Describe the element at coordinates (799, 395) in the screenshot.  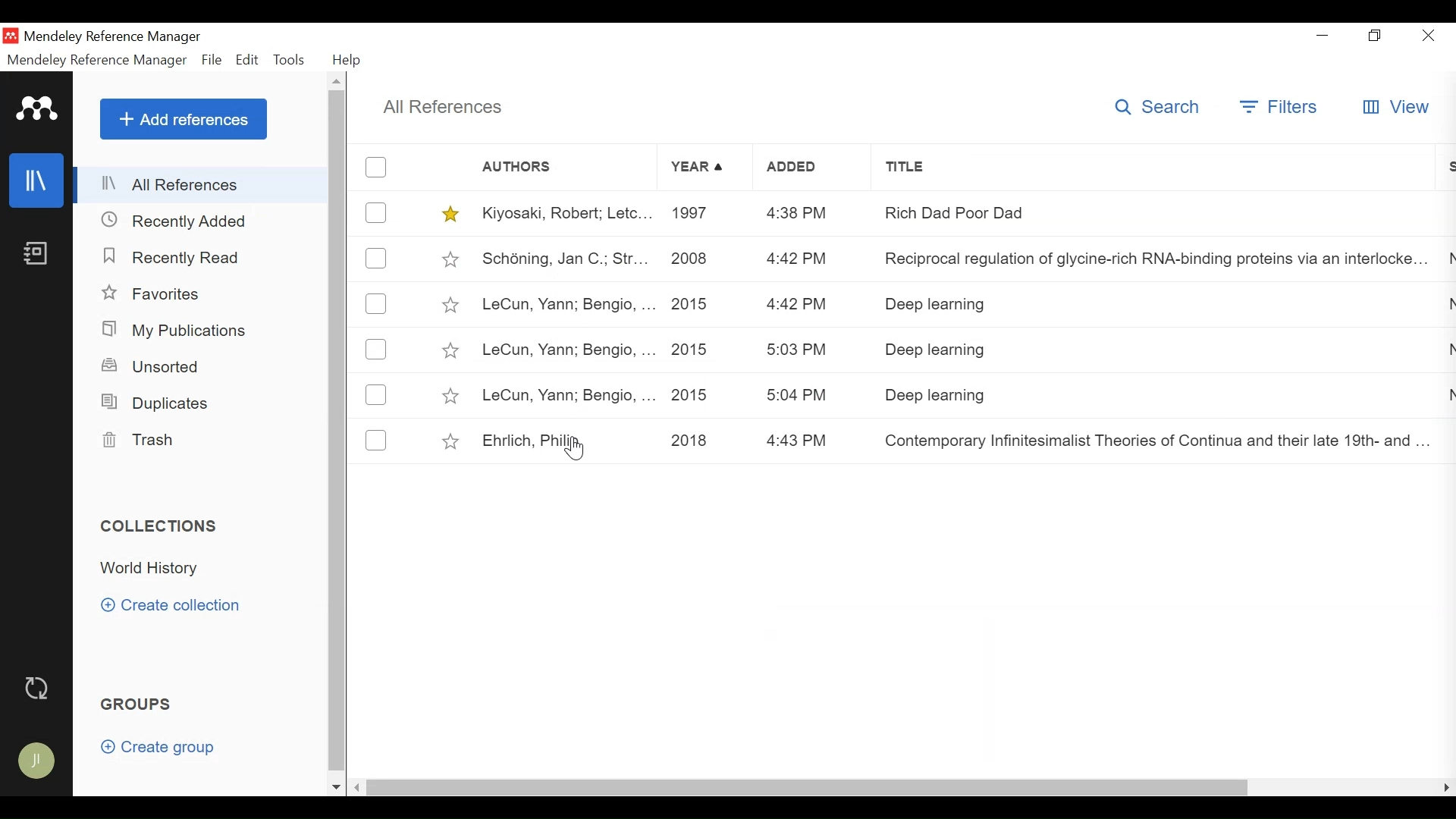
I see `5:04 PM` at that location.